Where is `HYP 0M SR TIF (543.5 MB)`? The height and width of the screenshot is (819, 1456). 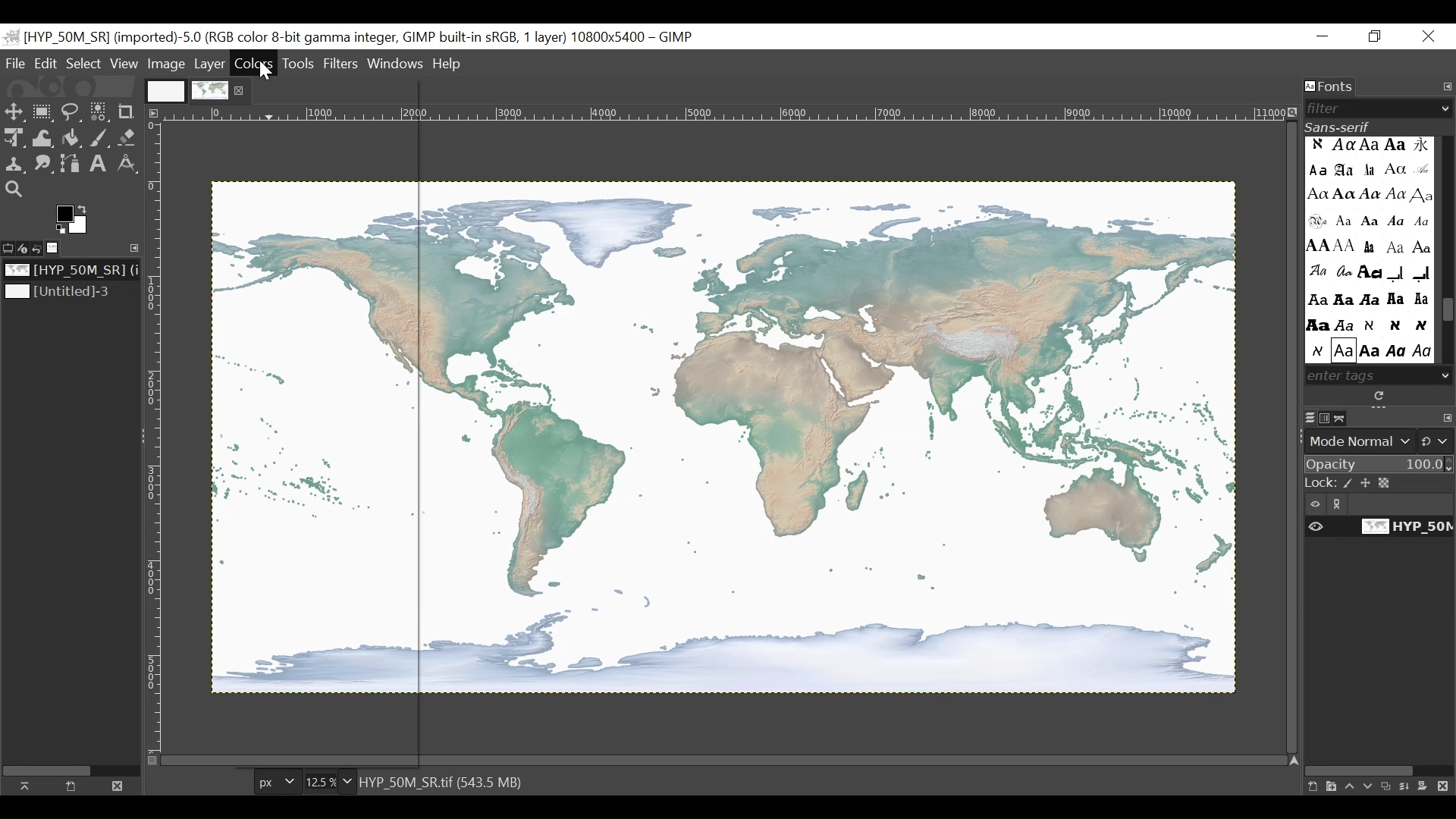
HYP 0M SR TIF (543.5 MB) is located at coordinates (444, 781).